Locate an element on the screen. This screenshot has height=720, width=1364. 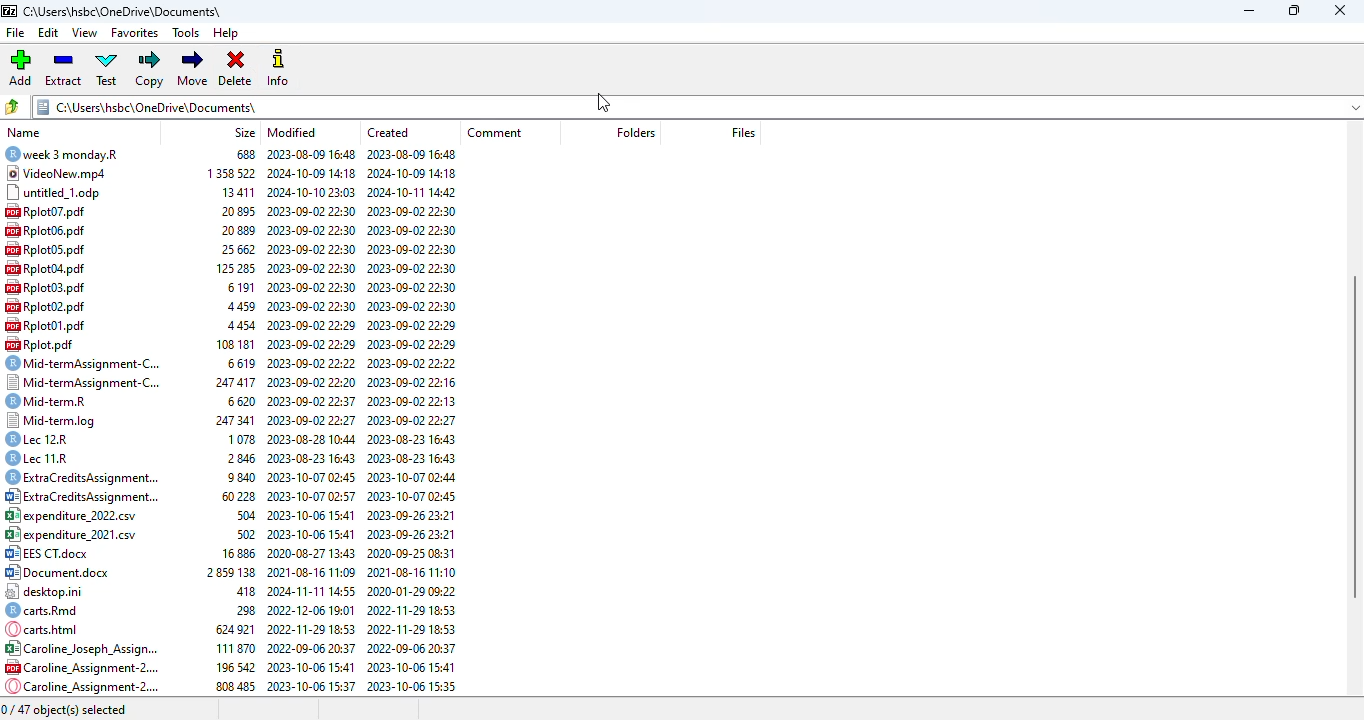
rplotol.pdf is located at coordinates (46, 328).